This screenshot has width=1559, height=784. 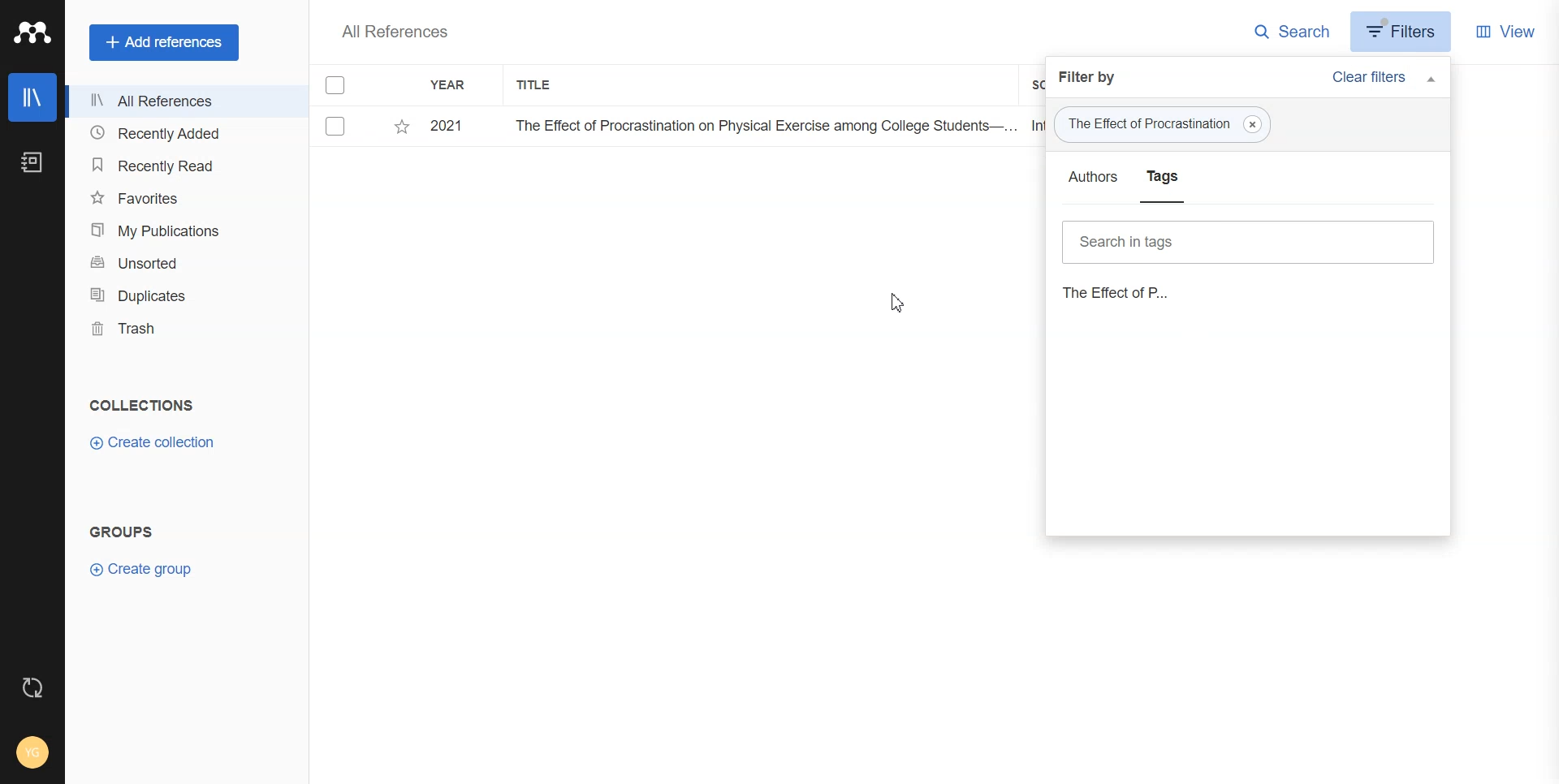 I want to click on Logo, so click(x=32, y=31).